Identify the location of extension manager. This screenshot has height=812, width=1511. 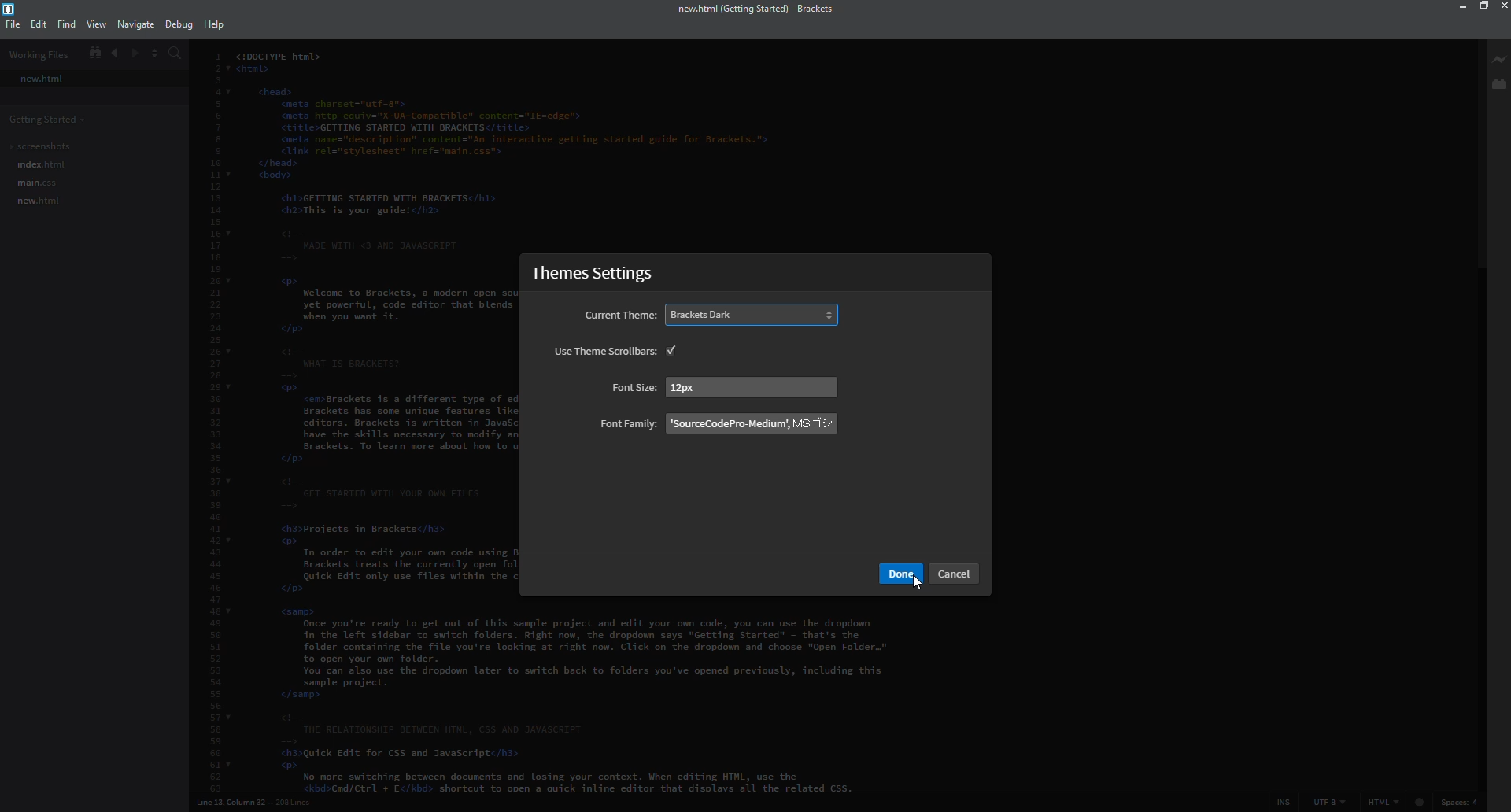
(1499, 84).